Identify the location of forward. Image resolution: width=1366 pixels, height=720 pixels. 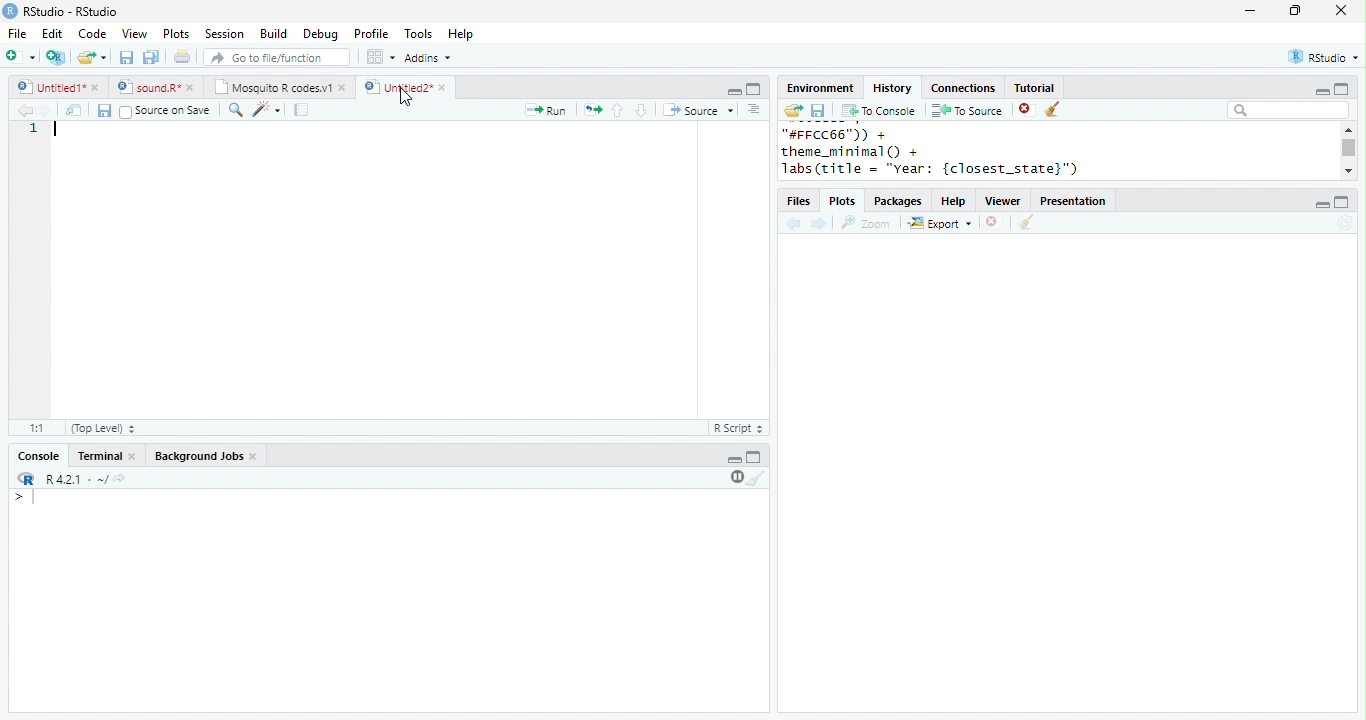
(42, 110).